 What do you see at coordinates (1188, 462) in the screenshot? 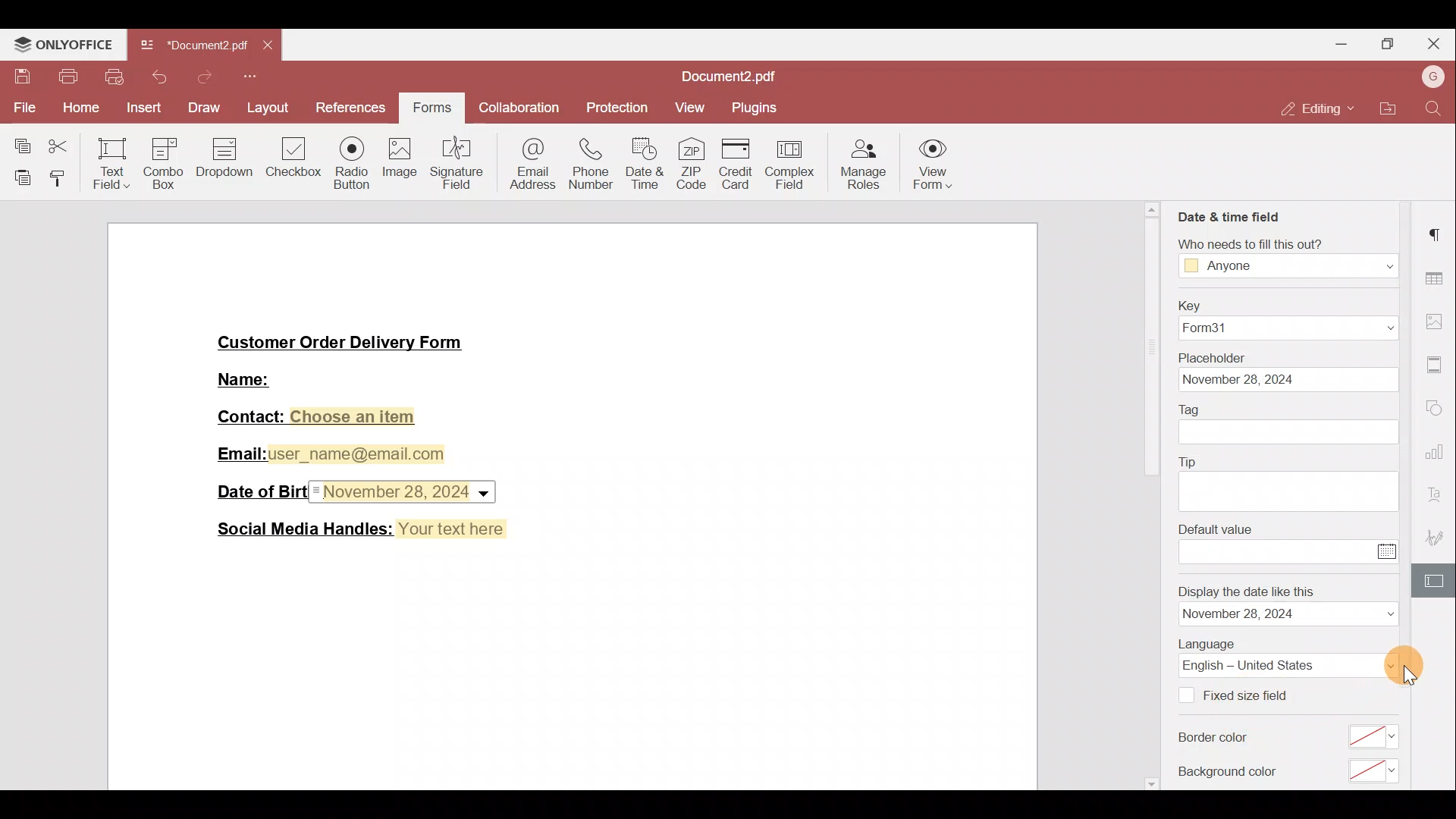
I see `Tip` at bounding box center [1188, 462].